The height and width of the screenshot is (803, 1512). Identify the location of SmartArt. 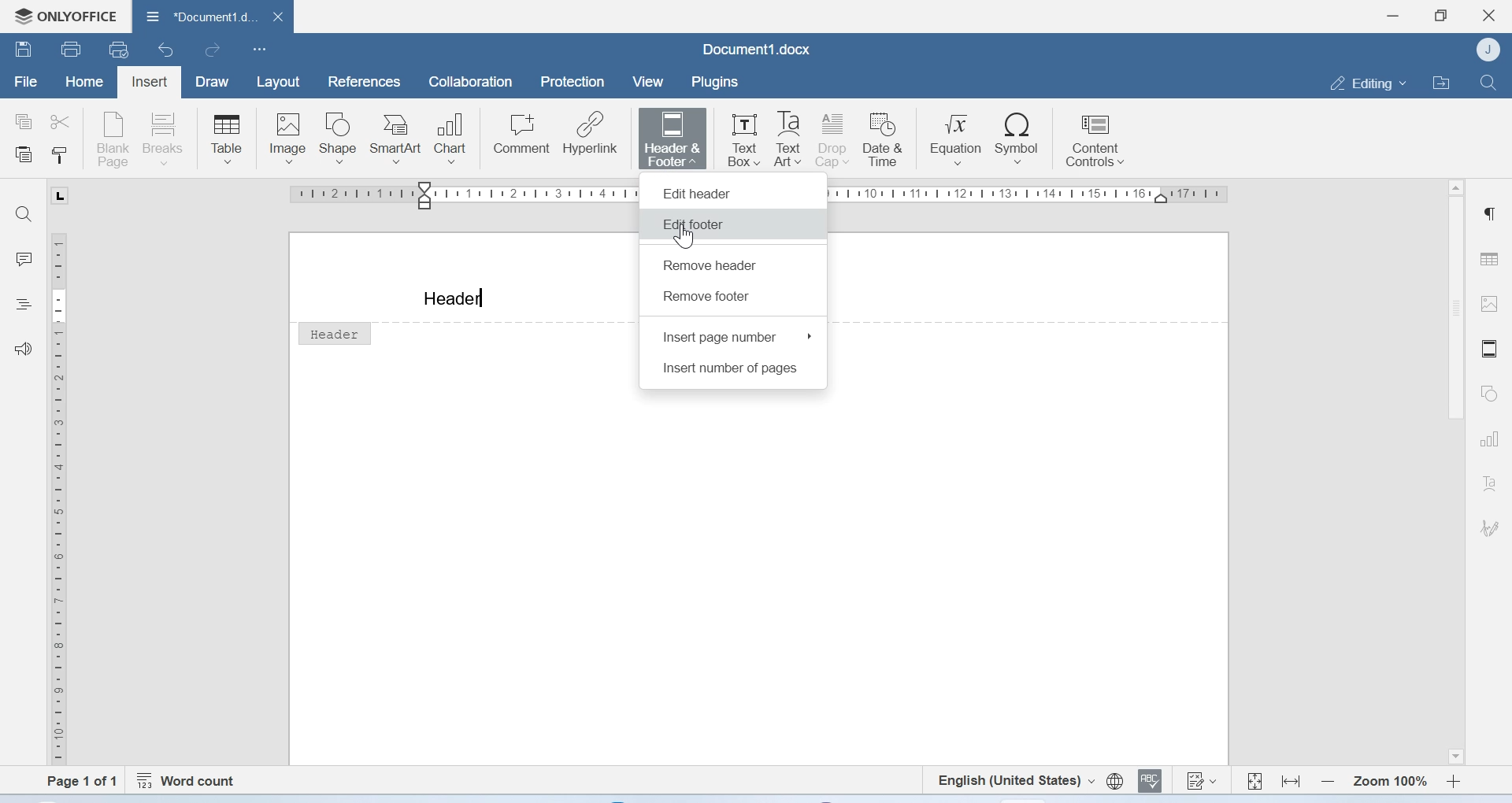
(399, 135).